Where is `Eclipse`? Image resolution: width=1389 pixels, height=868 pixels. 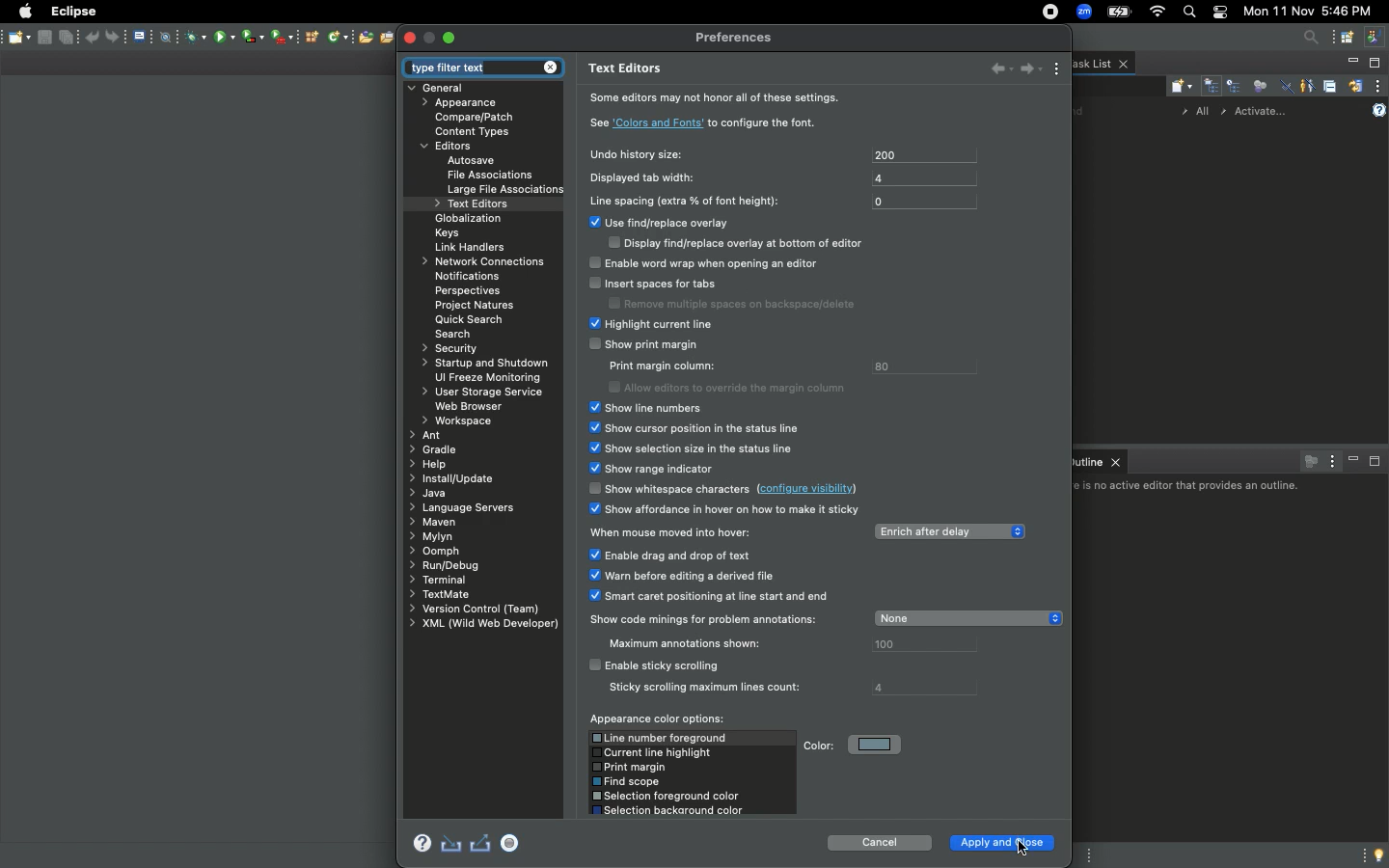 Eclipse is located at coordinates (71, 11).